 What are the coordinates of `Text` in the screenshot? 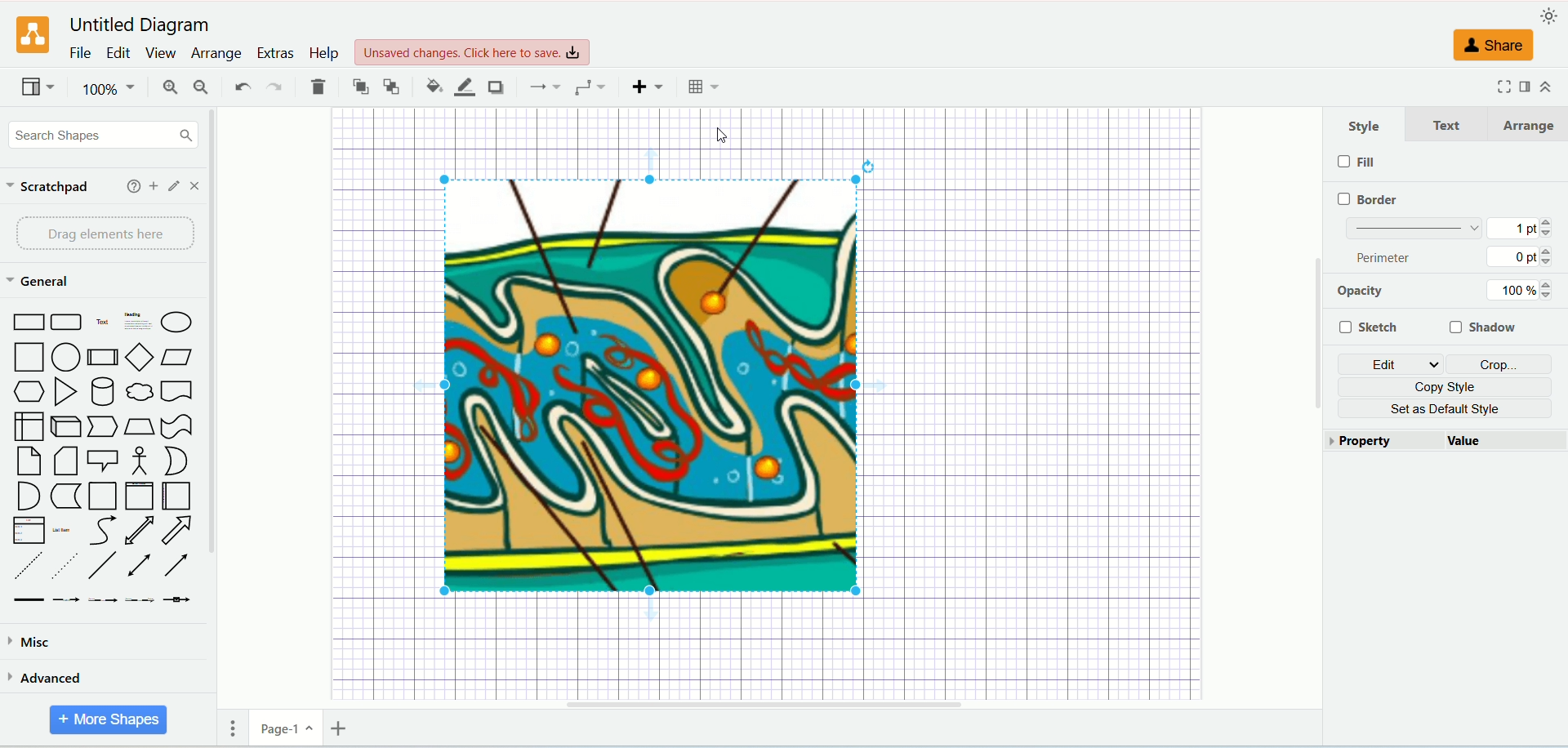 It's located at (103, 323).